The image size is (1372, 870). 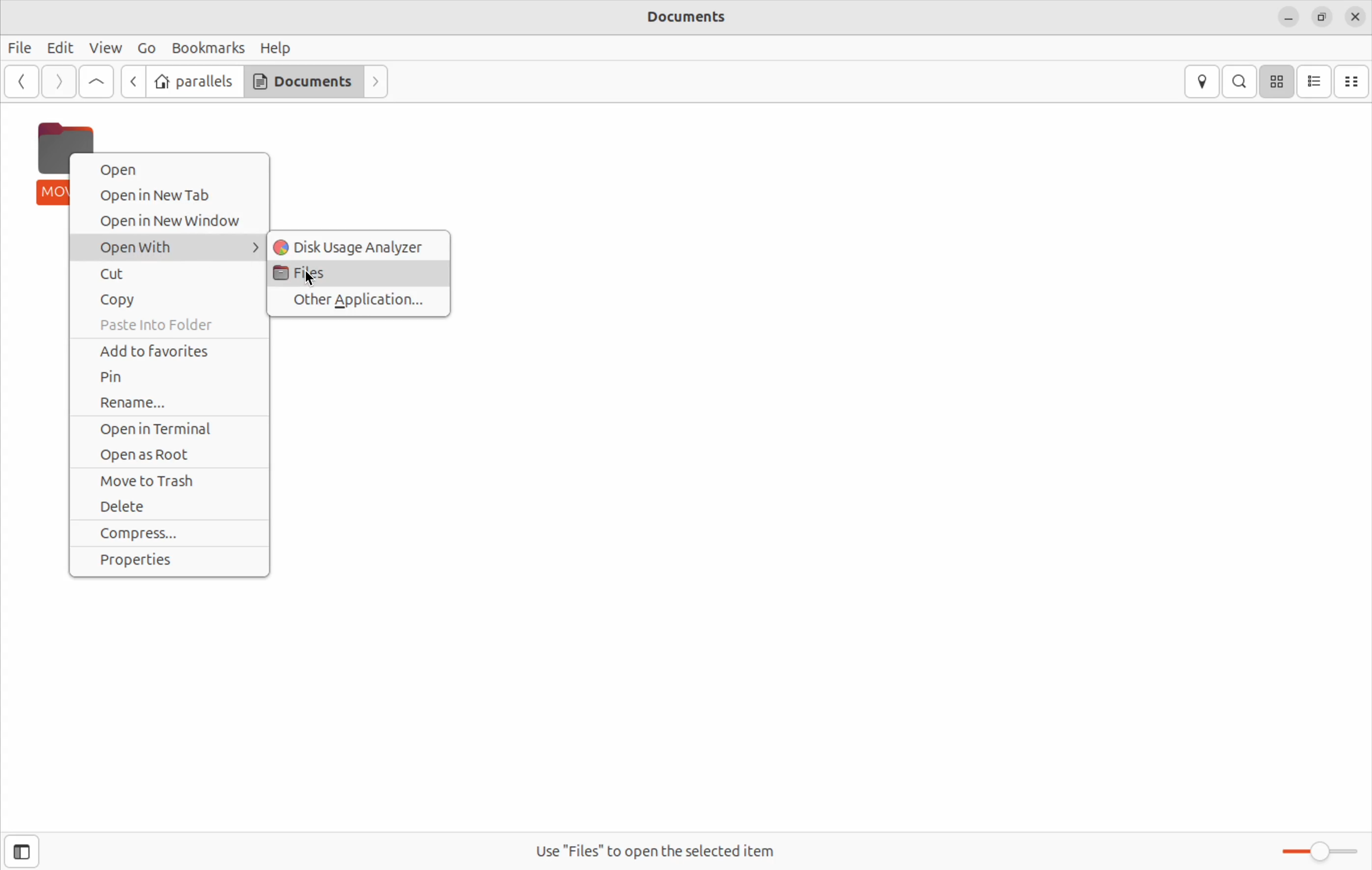 What do you see at coordinates (197, 81) in the screenshot?
I see `Parallels` at bounding box center [197, 81].